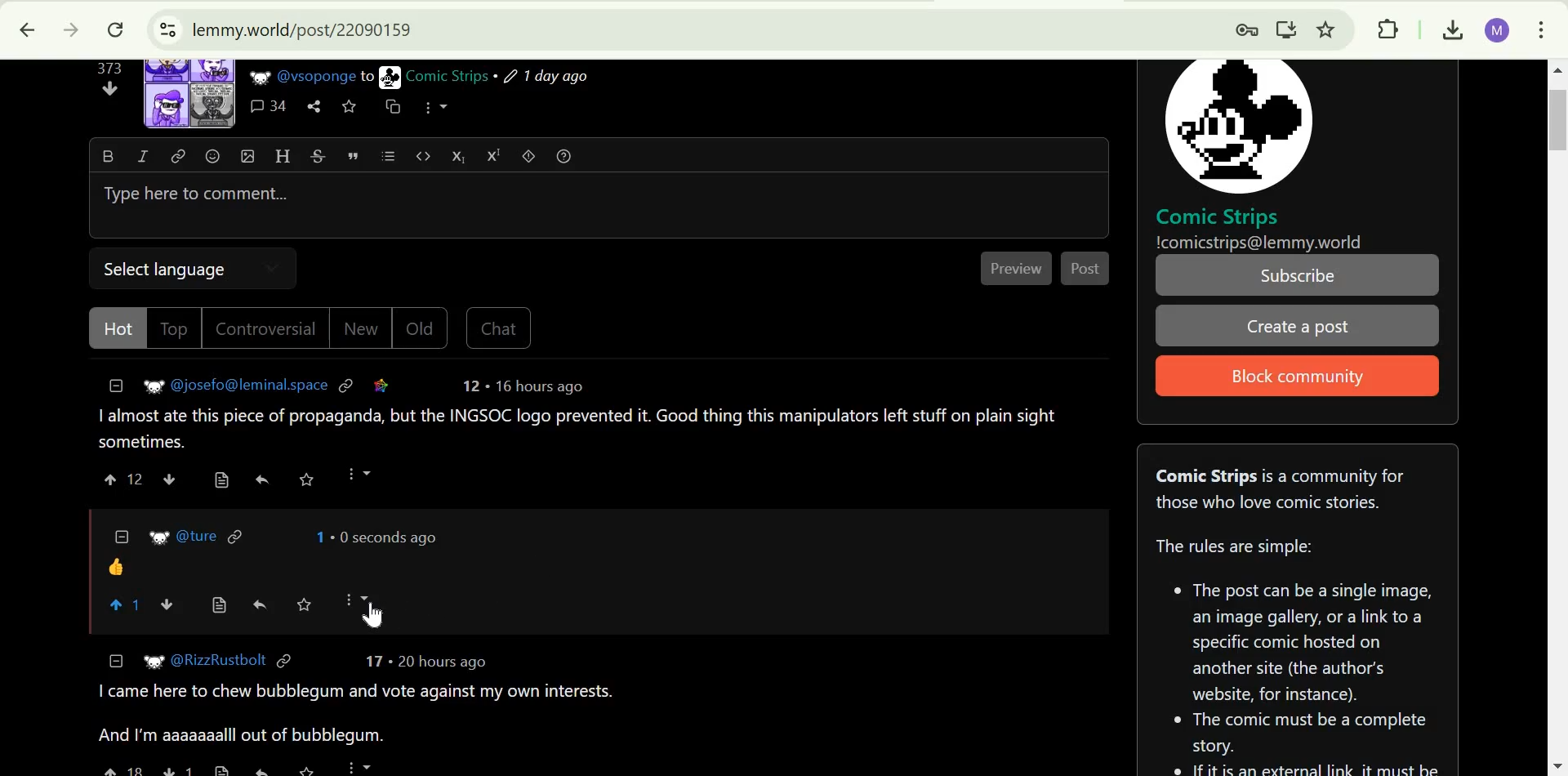 The width and height of the screenshot is (1568, 776). What do you see at coordinates (269, 107) in the screenshot?
I see `34 comments` at bounding box center [269, 107].